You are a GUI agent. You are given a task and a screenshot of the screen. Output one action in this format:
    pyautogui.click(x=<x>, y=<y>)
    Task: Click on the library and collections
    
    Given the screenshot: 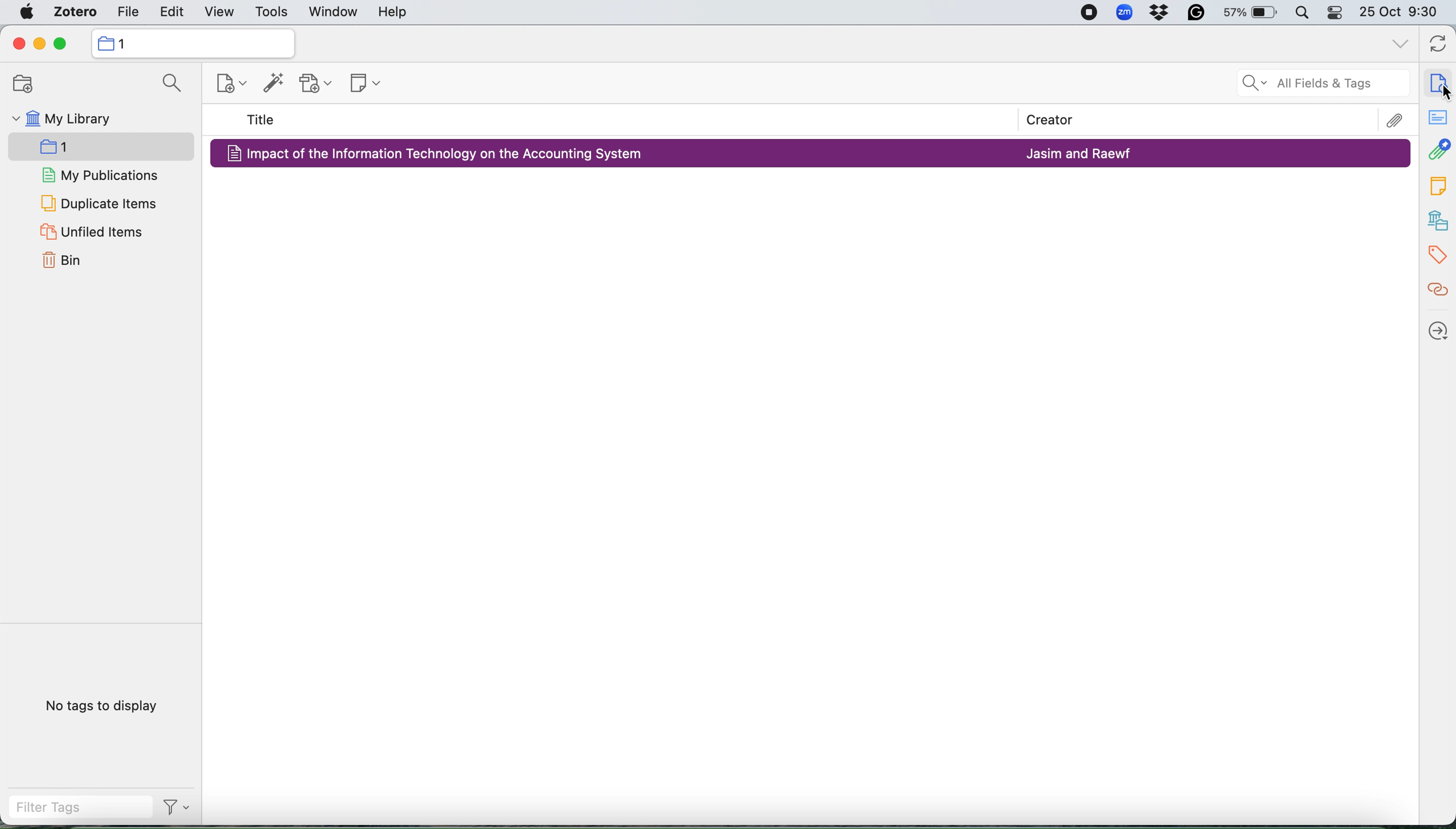 What is the action you would take?
    pyautogui.click(x=1437, y=219)
    